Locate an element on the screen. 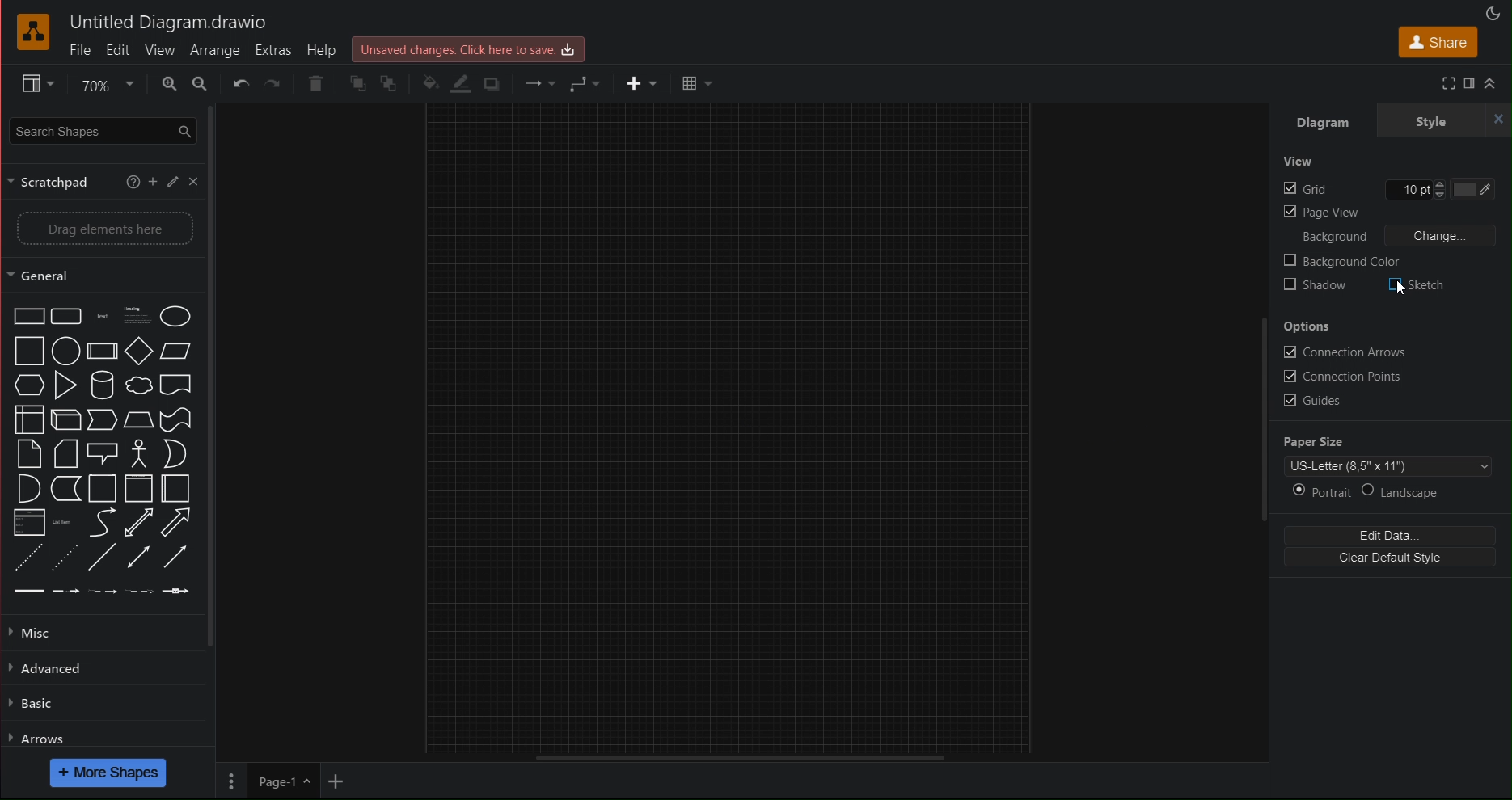  Scratchpad is located at coordinates (49, 183).